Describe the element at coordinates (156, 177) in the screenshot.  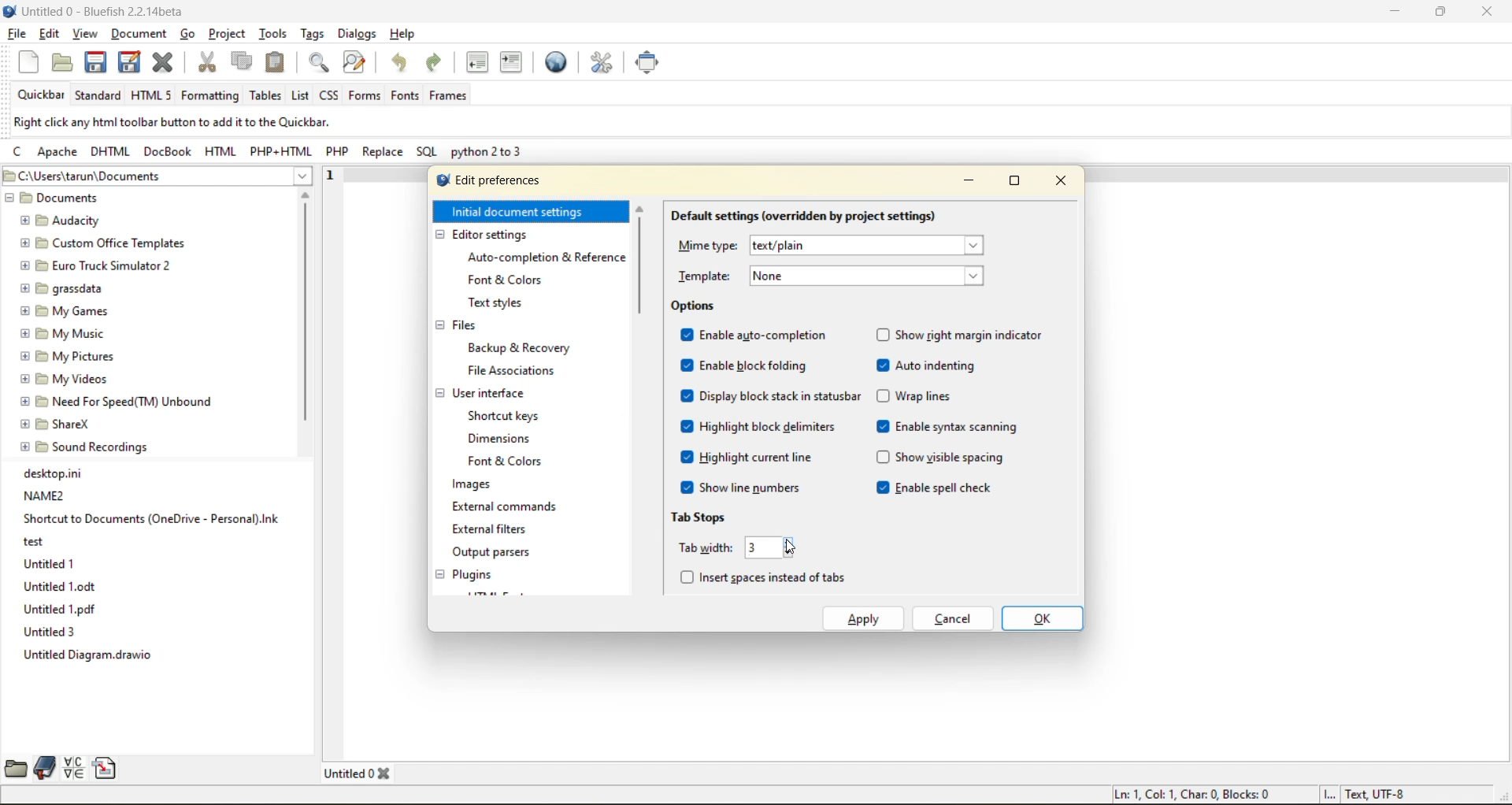
I see `file location` at that location.